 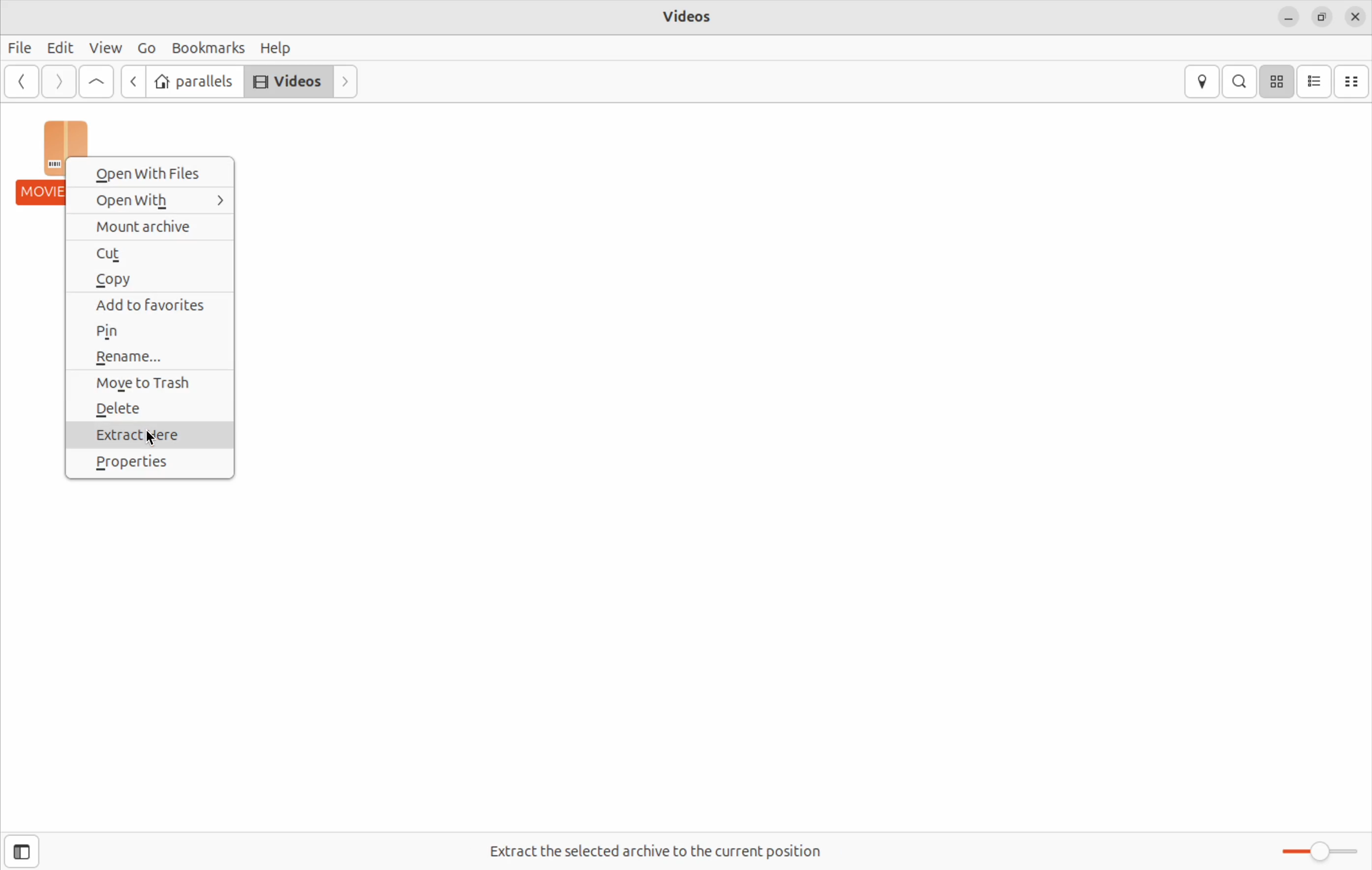 I want to click on bookmarks, so click(x=205, y=48).